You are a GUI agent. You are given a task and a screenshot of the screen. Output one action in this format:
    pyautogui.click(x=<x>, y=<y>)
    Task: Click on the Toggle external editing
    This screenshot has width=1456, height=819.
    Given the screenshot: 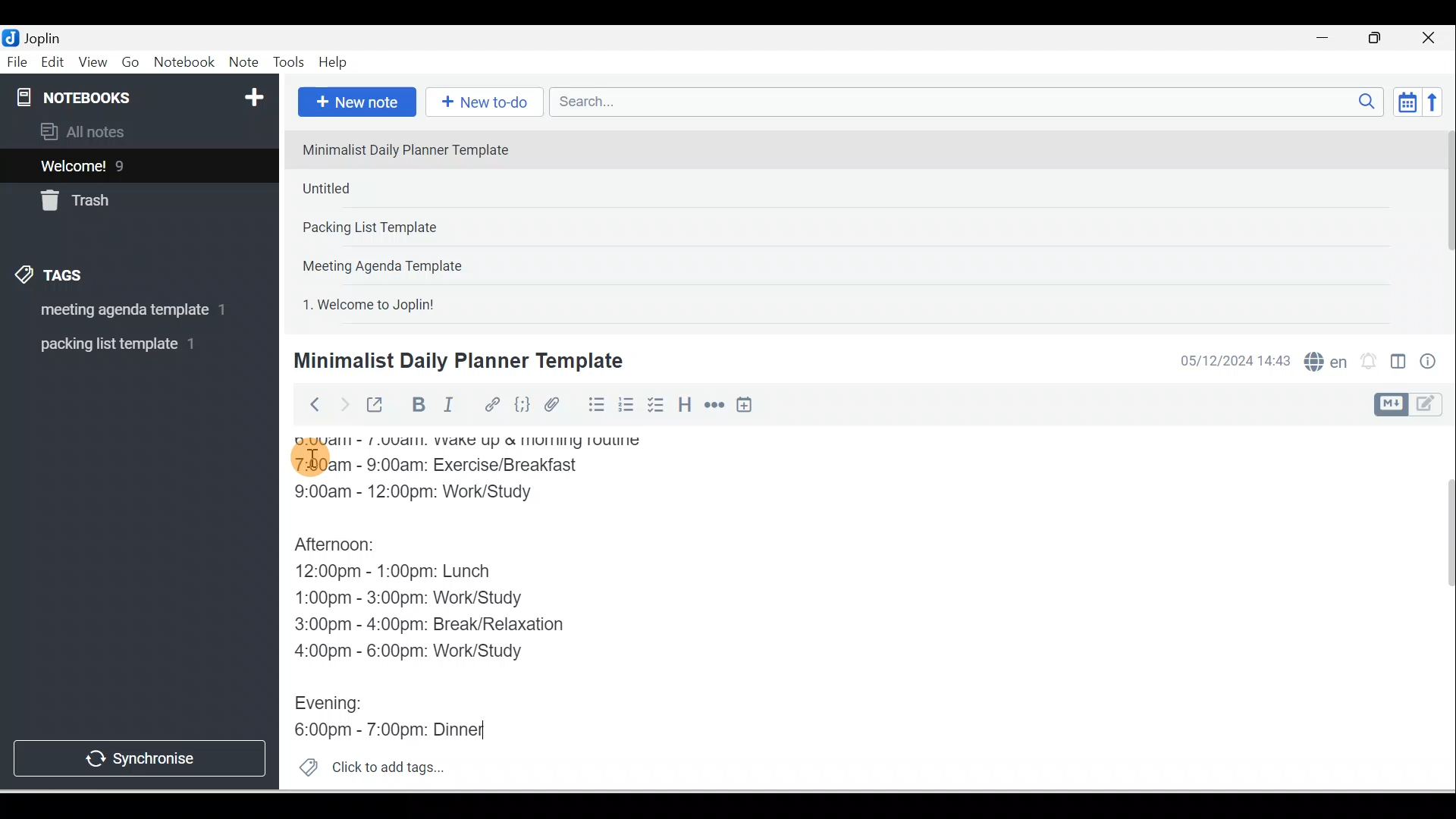 What is the action you would take?
    pyautogui.click(x=377, y=408)
    